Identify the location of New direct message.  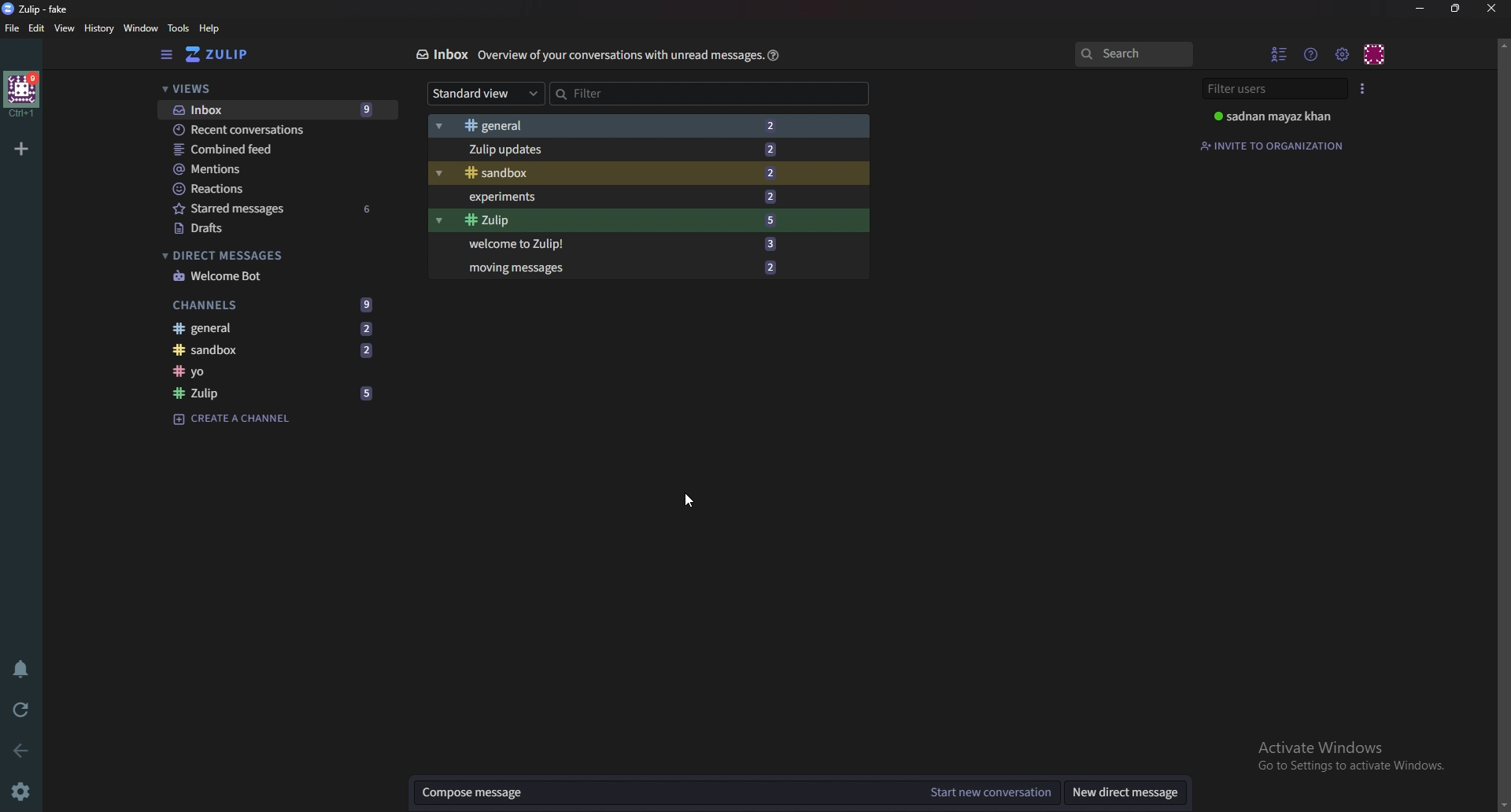
(1127, 792).